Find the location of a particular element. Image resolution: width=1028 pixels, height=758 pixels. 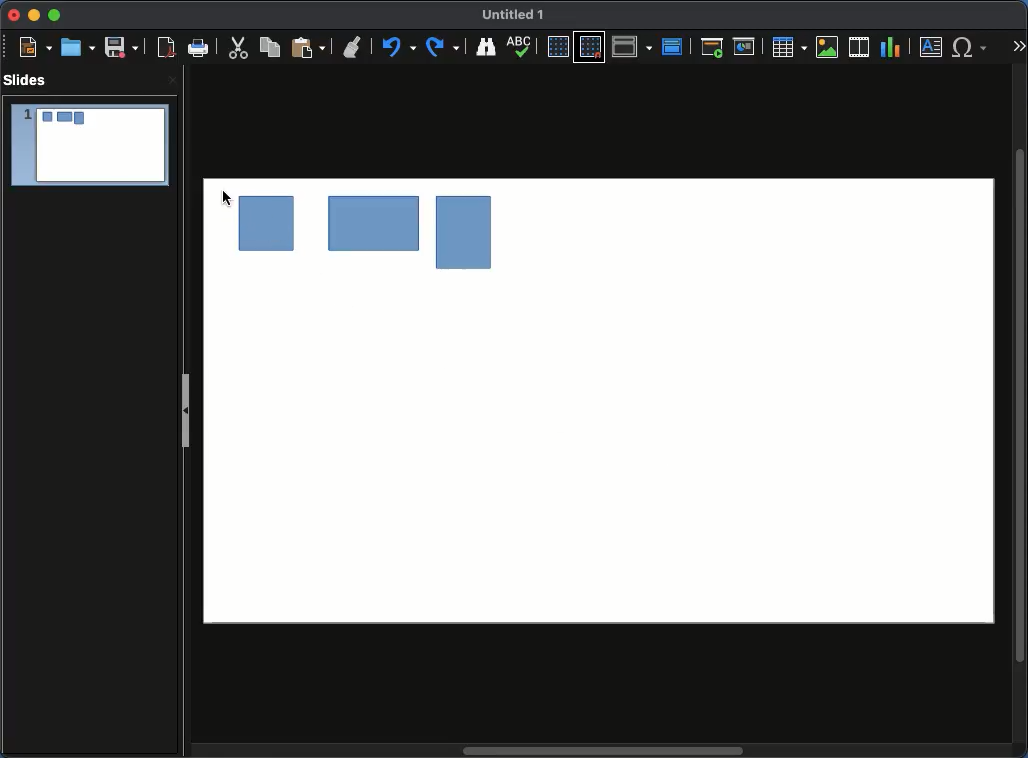

New is located at coordinates (35, 47).